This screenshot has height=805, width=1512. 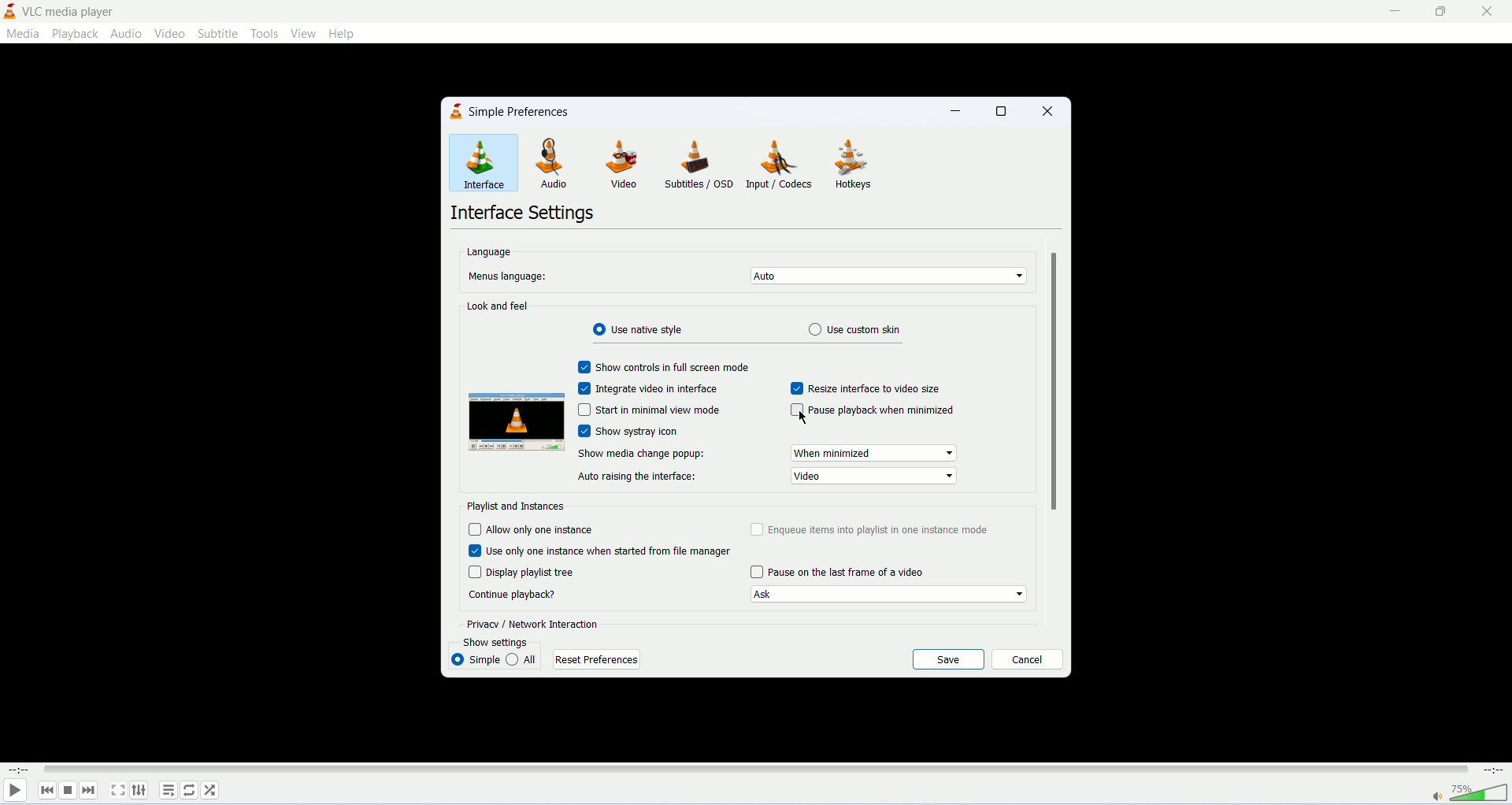 What do you see at coordinates (1028, 660) in the screenshot?
I see `cancel` at bounding box center [1028, 660].